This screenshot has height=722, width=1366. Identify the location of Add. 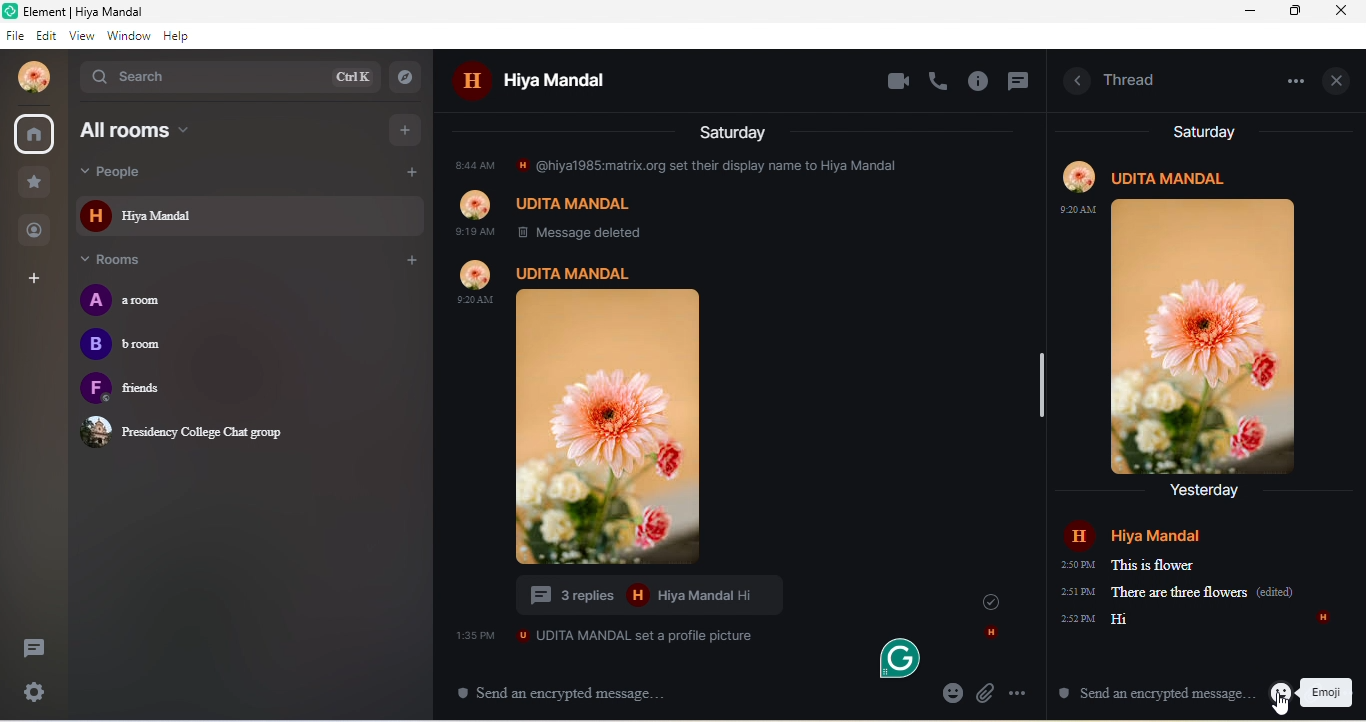
(33, 278).